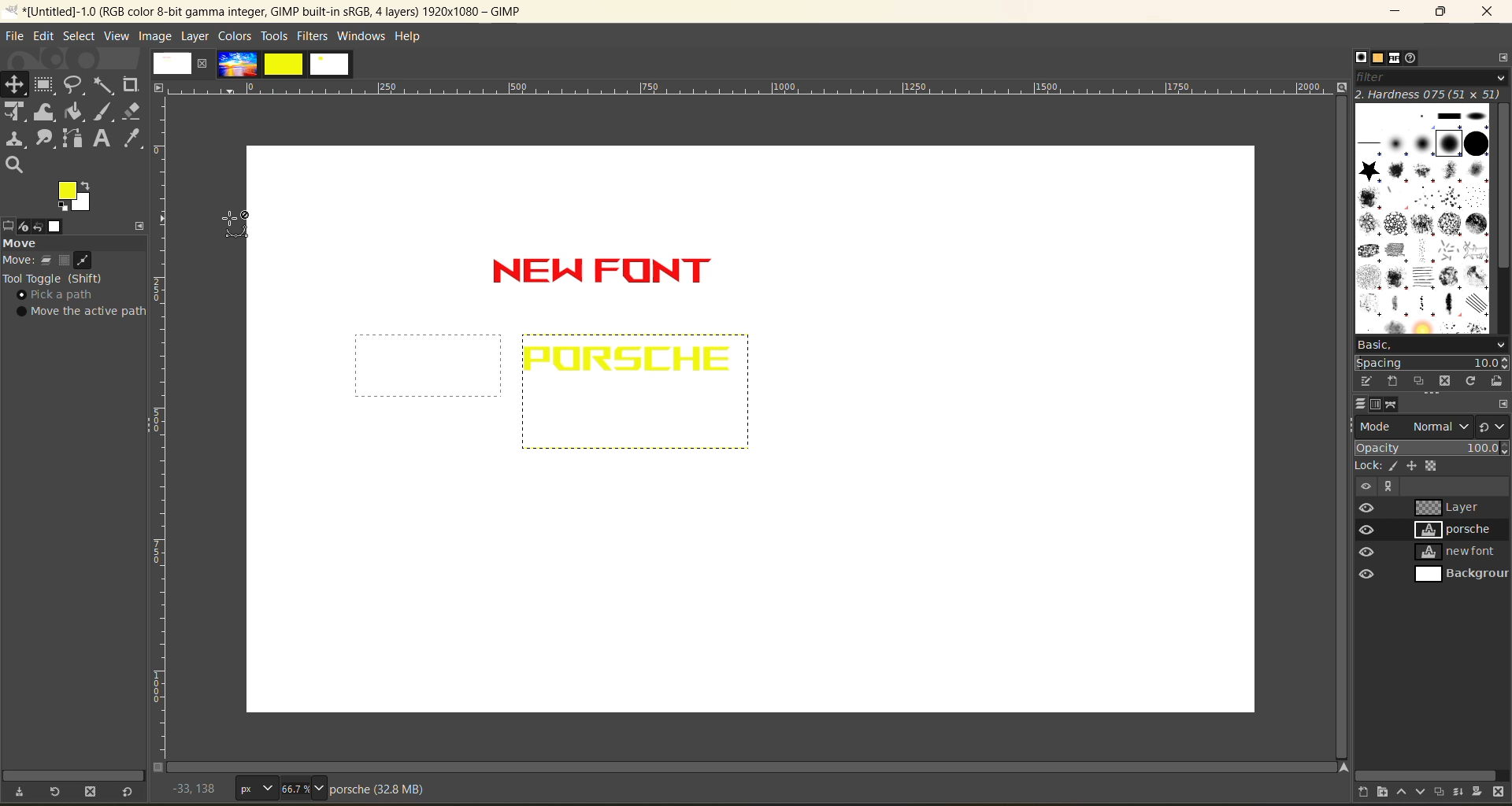 The width and height of the screenshot is (1512, 806). What do you see at coordinates (45, 113) in the screenshot?
I see `wrape transform` at bounding box center [45, 113].